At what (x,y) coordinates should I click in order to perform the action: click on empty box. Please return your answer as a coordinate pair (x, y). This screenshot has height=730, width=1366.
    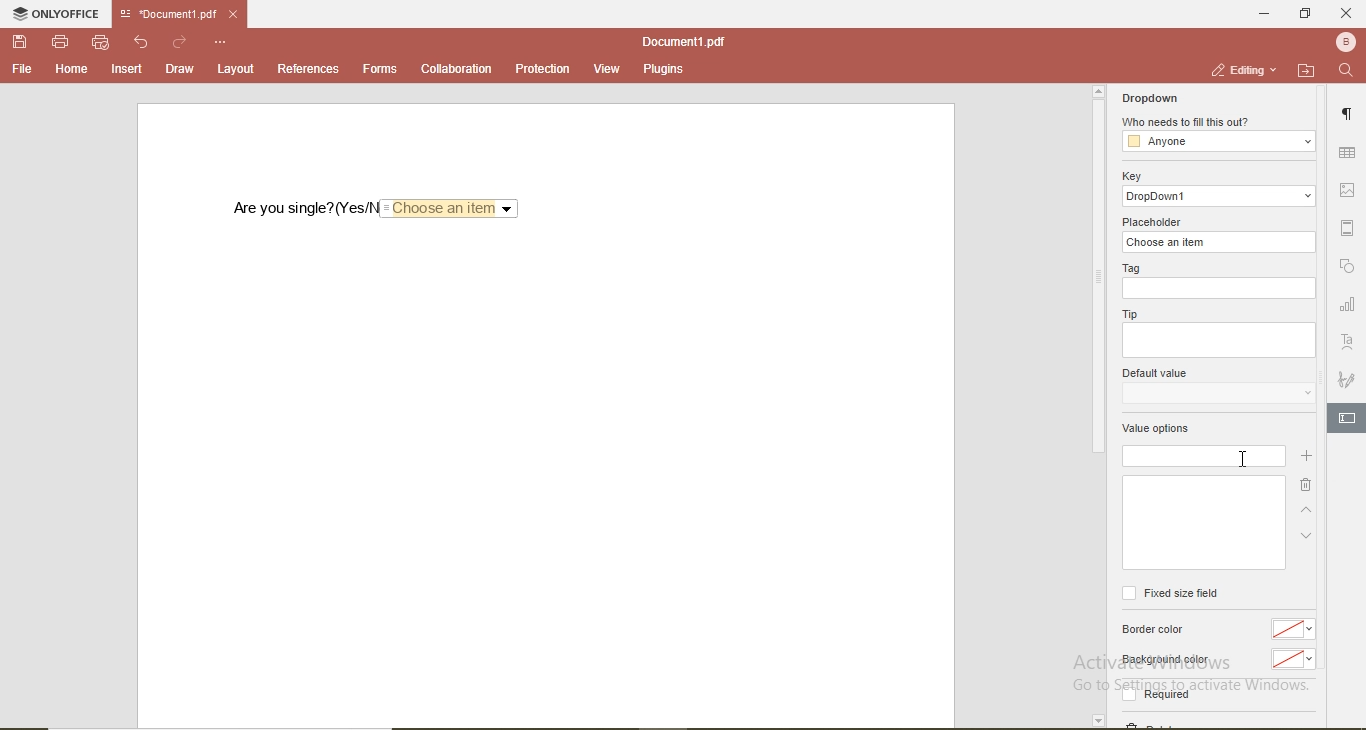
    Looking at the image, I should click on (1207, 457).